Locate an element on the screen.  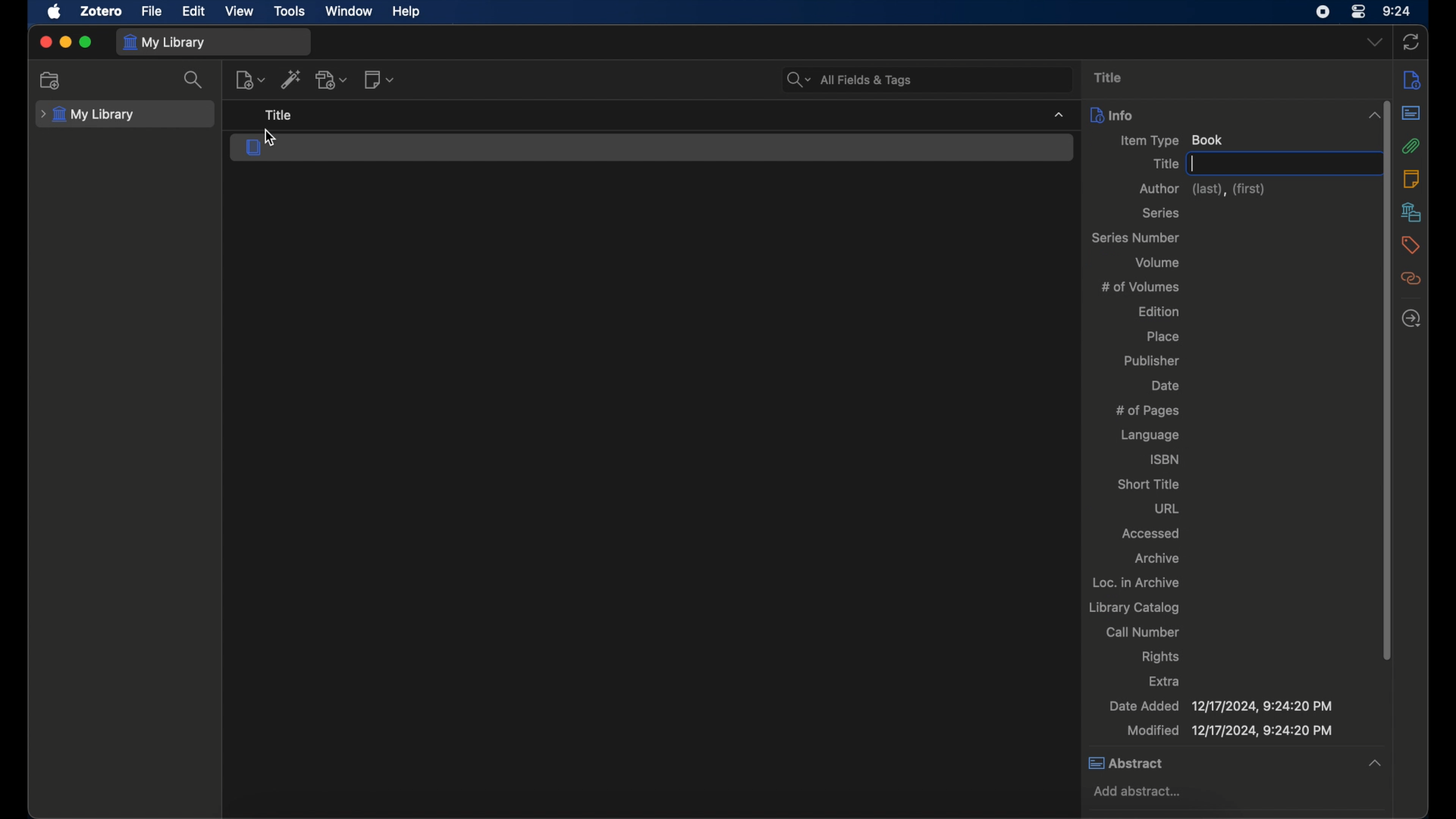
book is located at coordinates (255, 147).